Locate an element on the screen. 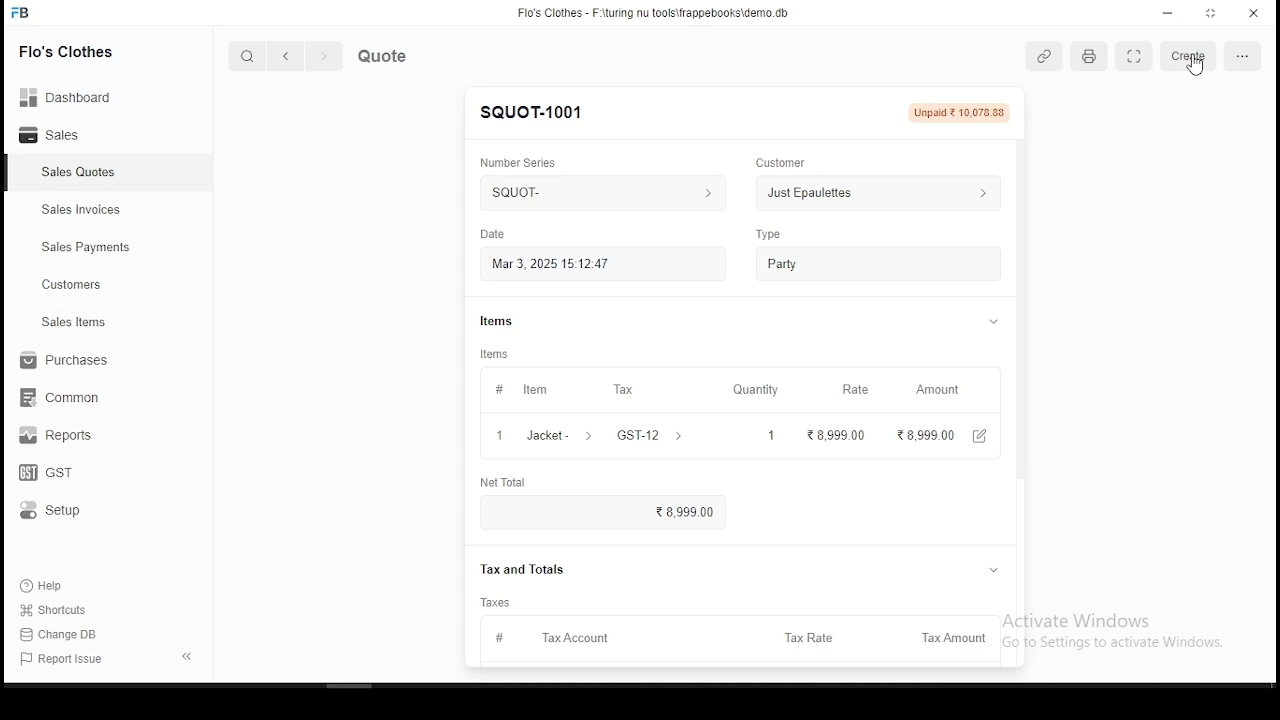 The image size is (1280, 720). edit is located at coordinates (988, 435).